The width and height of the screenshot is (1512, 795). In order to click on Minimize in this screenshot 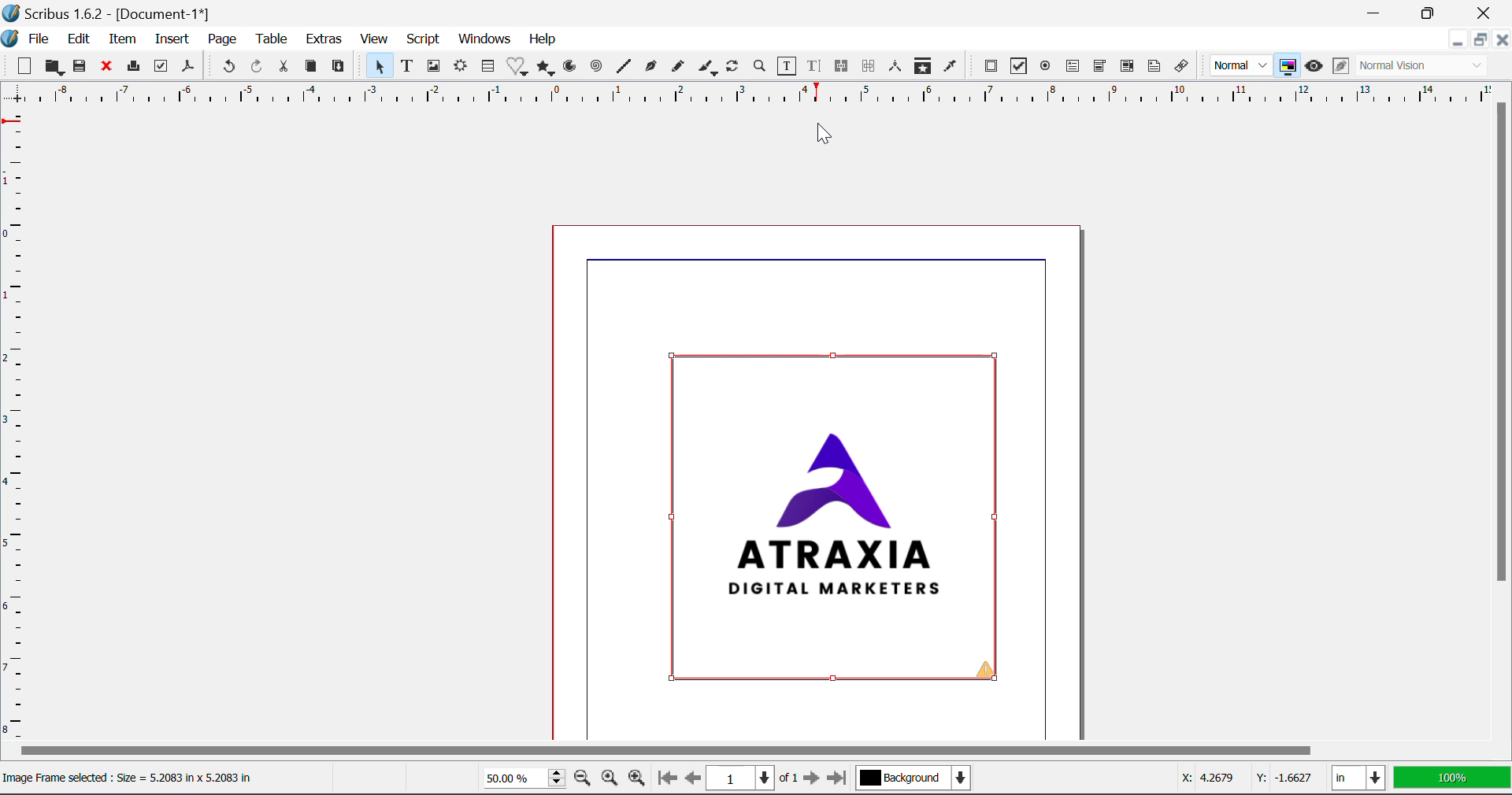, I will do `click(1432, 13)`.